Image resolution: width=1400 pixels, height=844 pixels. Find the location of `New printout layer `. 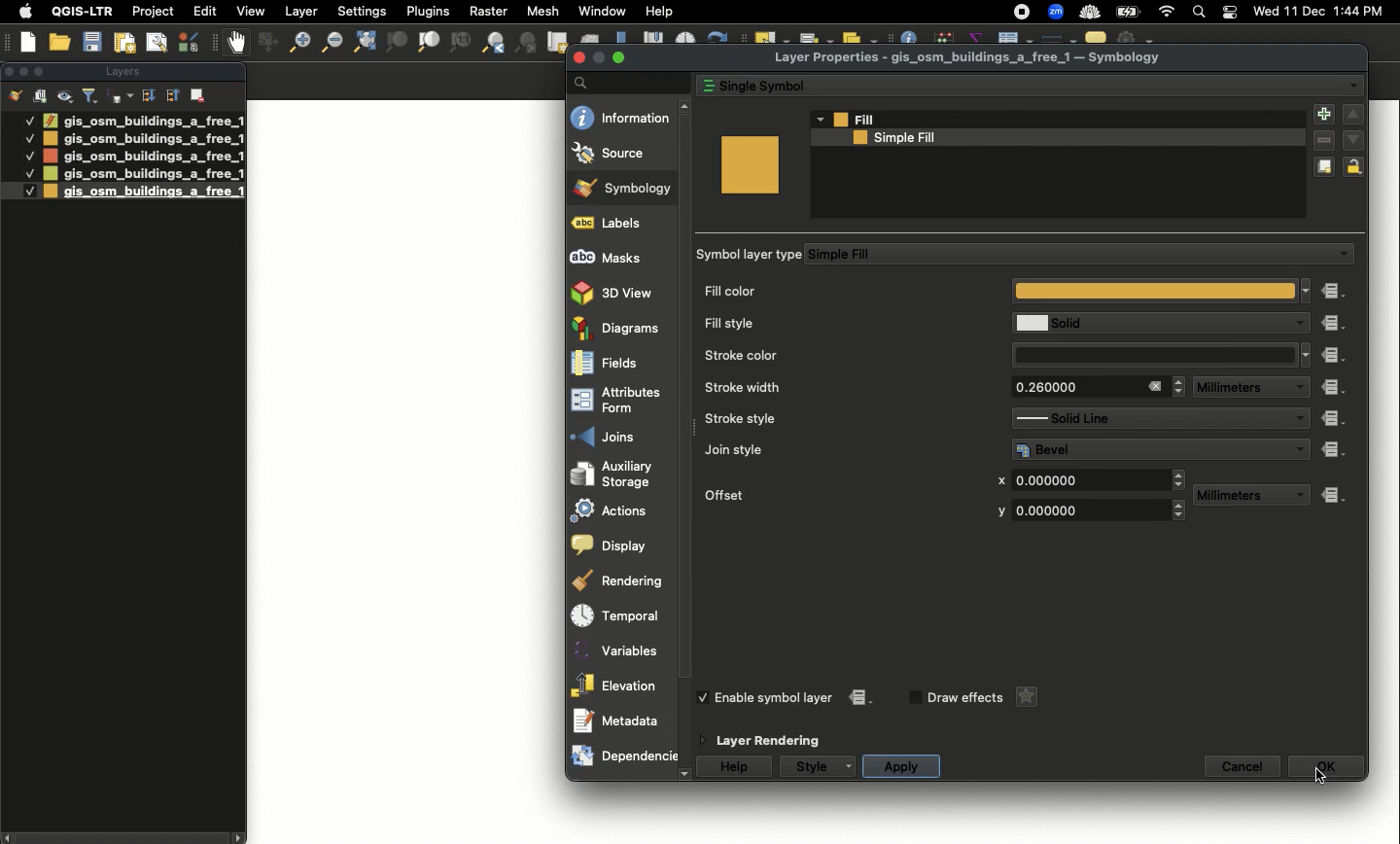

New printout layer  is located at coordinates (124, 43).